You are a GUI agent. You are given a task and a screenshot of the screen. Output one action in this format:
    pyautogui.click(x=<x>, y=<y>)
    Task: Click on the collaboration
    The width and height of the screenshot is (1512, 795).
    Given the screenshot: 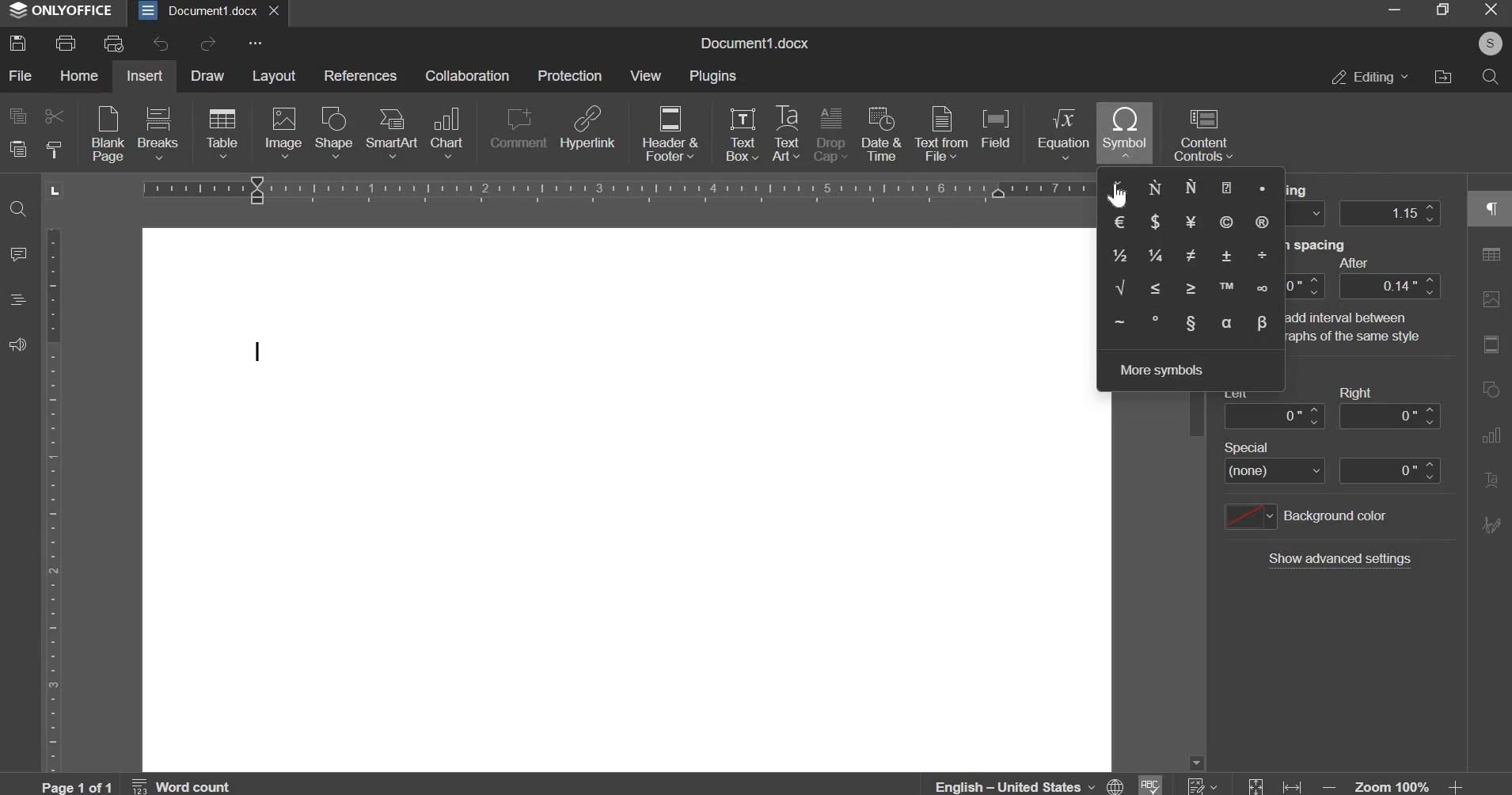 What is the action you would take?
    pyautogui.click(x=467, y=75)
    